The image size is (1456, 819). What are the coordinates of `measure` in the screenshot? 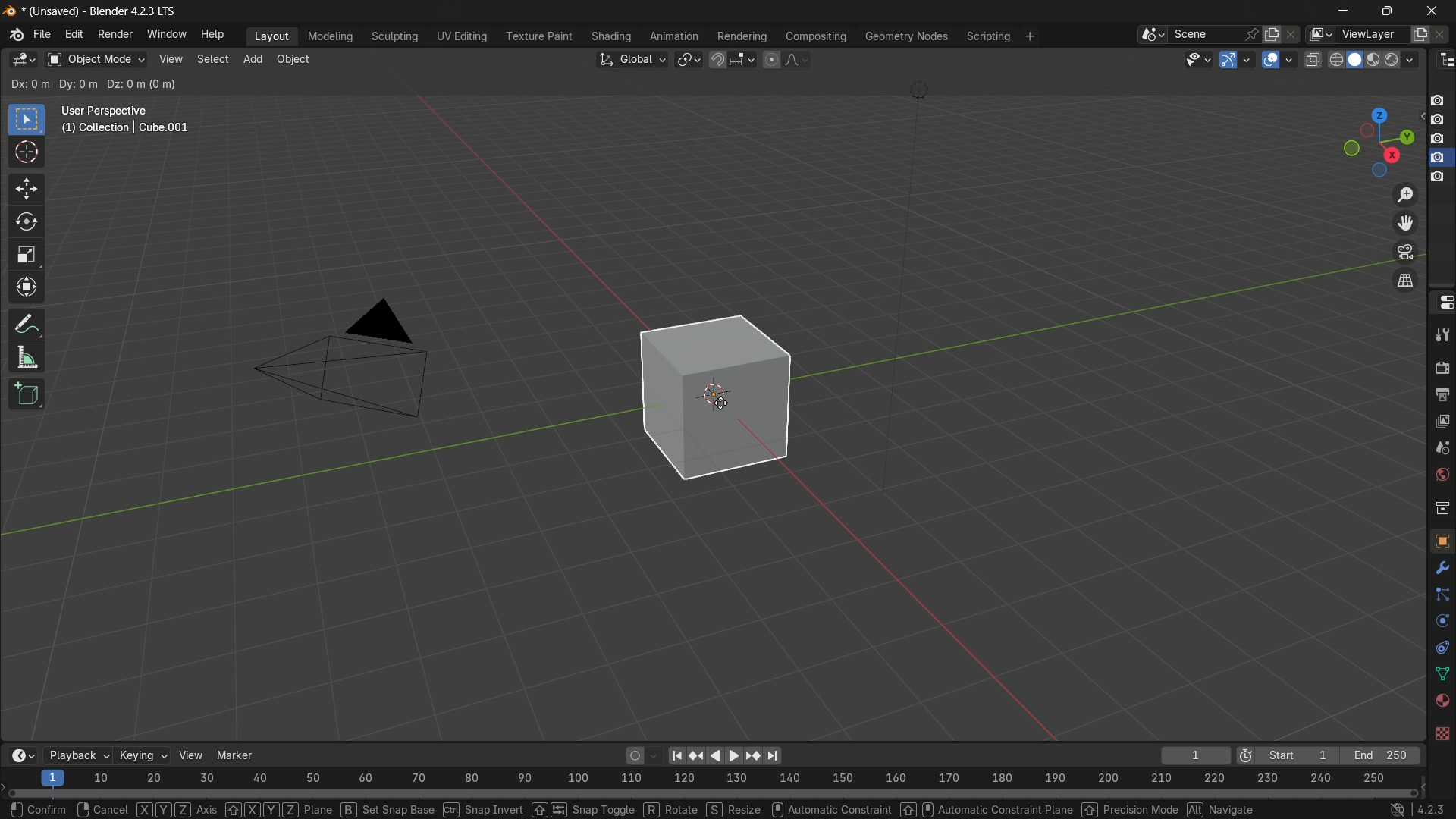 It's located at (28, 358).